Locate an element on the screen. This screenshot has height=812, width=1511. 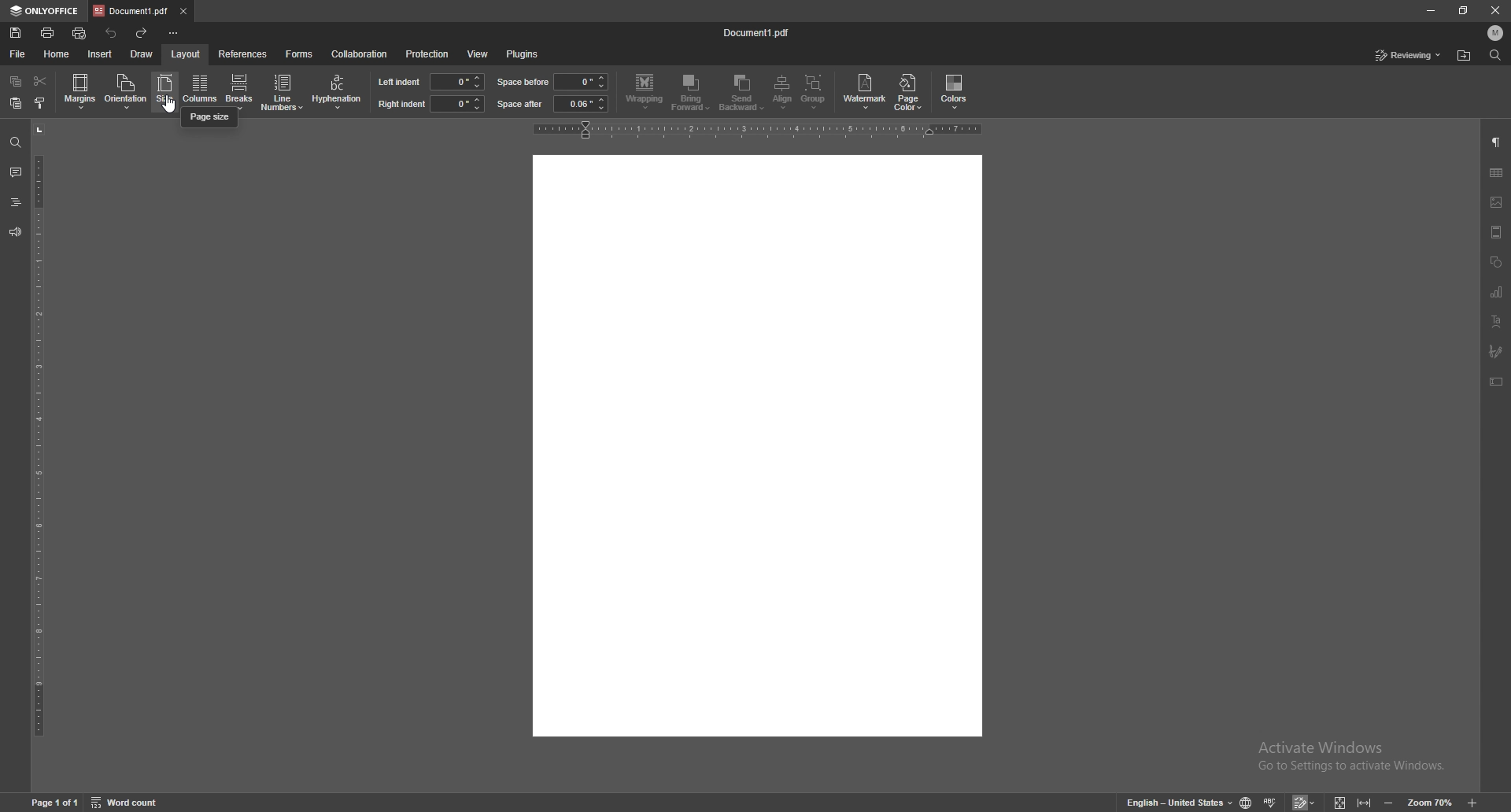
layout is located at coordinates (185, 54).